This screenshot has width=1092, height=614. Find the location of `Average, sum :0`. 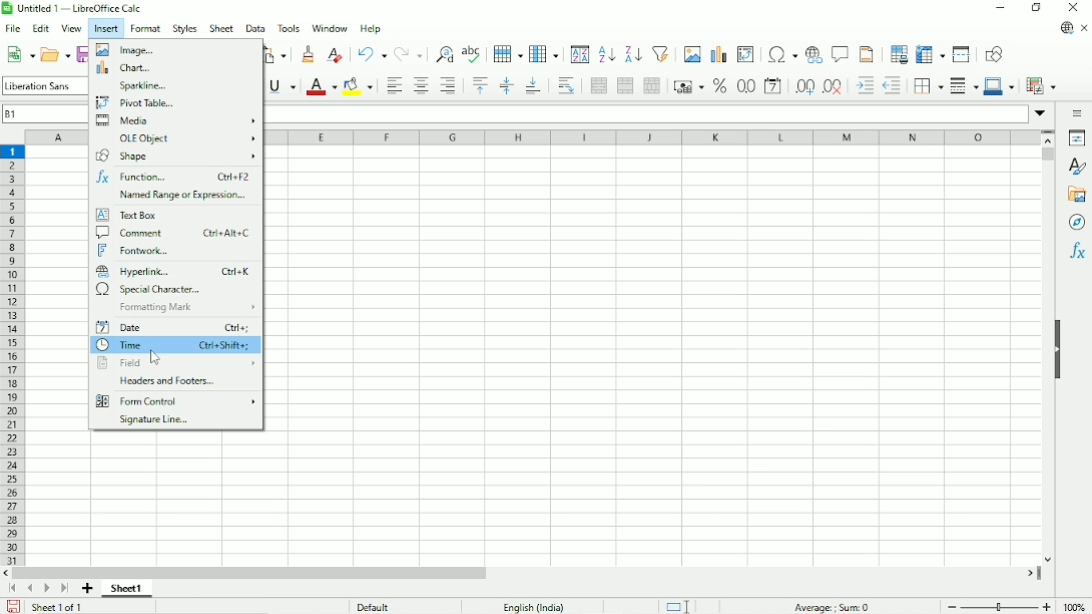

Average, sum :0 is located at coordinates (830, 605).